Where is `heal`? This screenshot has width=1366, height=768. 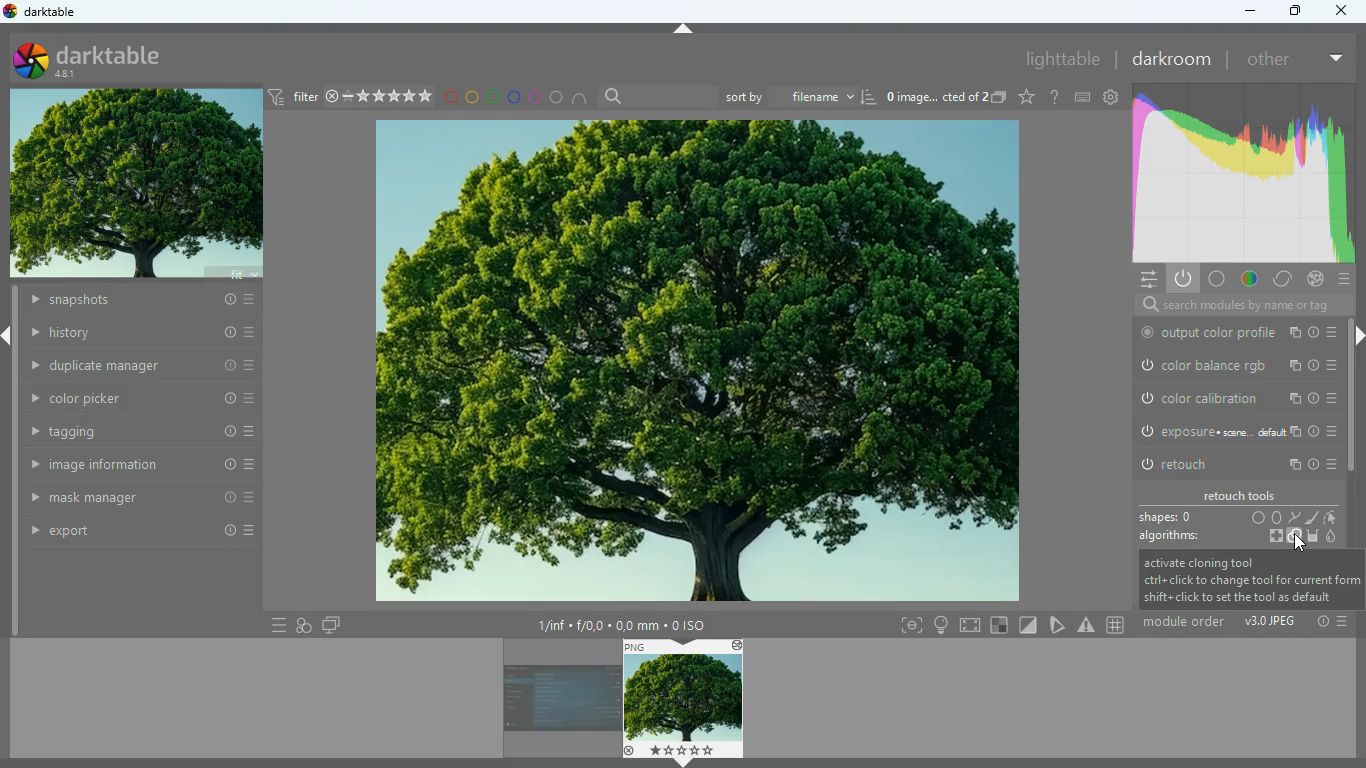 heal is located at coordinates (1269, 536).